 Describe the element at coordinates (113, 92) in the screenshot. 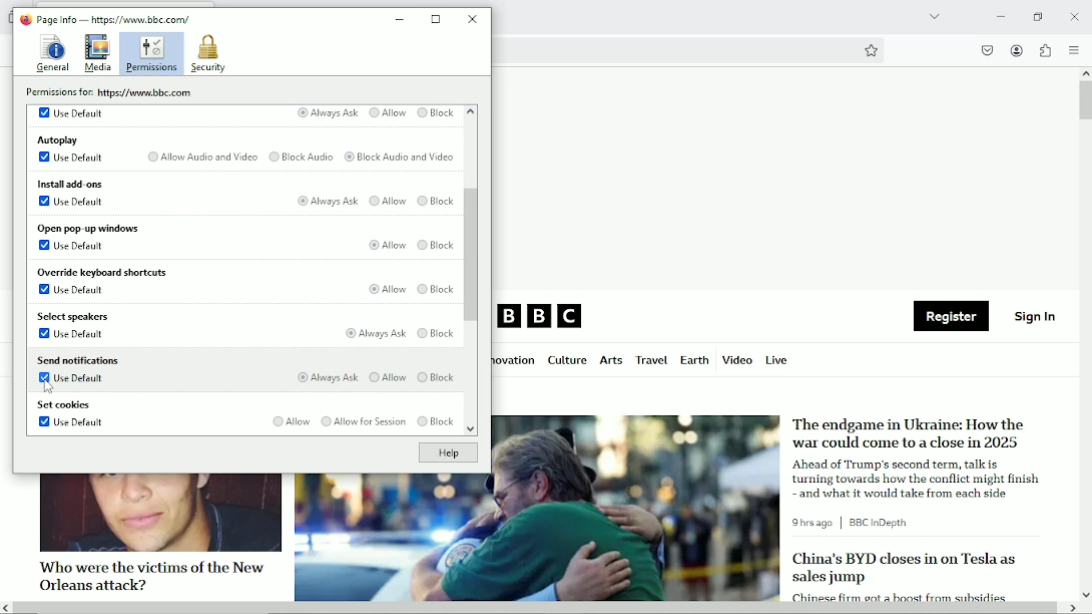

I see `Permissions tor https://www.bbc.com` at that location.